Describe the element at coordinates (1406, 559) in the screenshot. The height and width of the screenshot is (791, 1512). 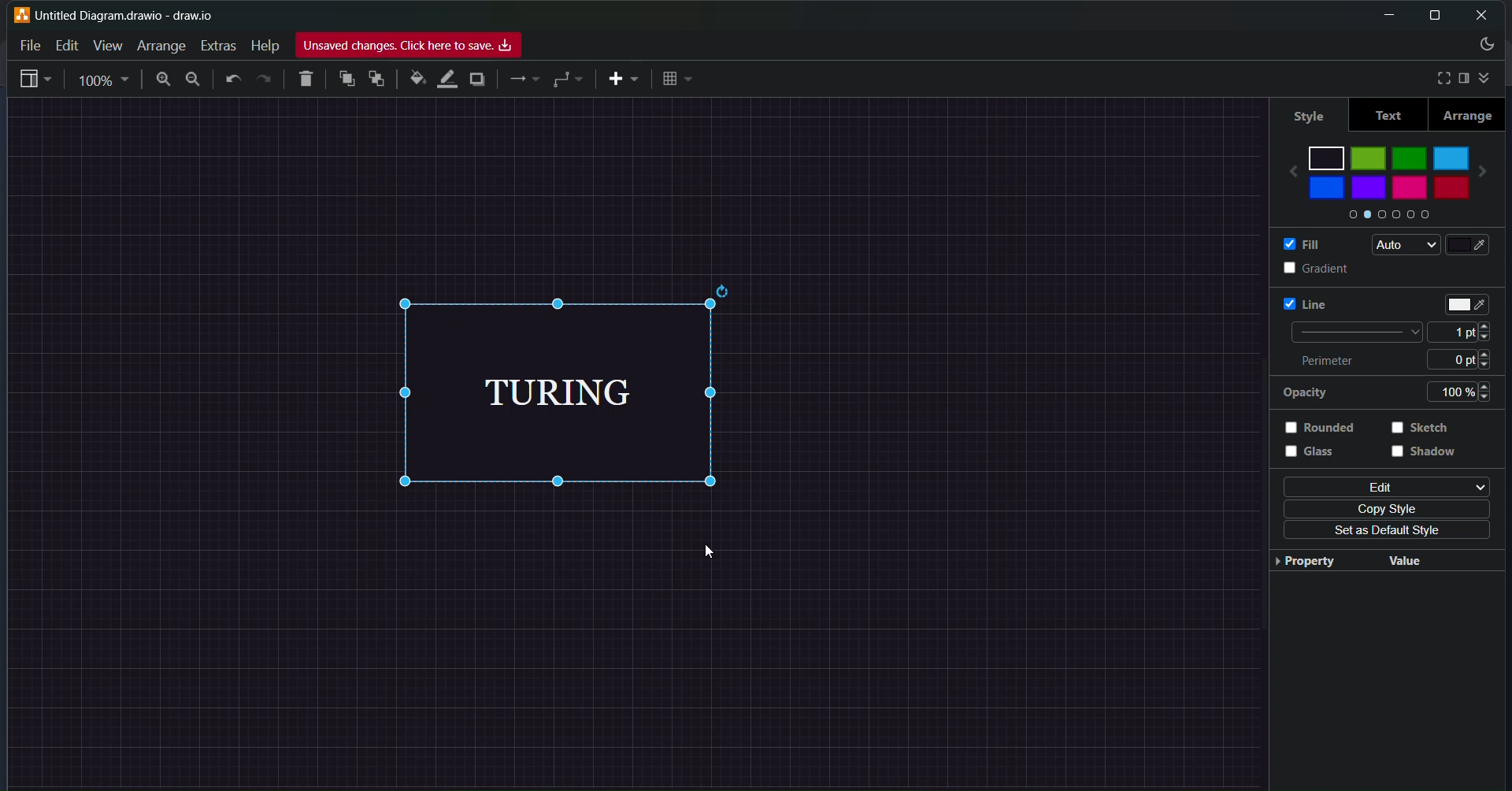
I see `value` at that location.